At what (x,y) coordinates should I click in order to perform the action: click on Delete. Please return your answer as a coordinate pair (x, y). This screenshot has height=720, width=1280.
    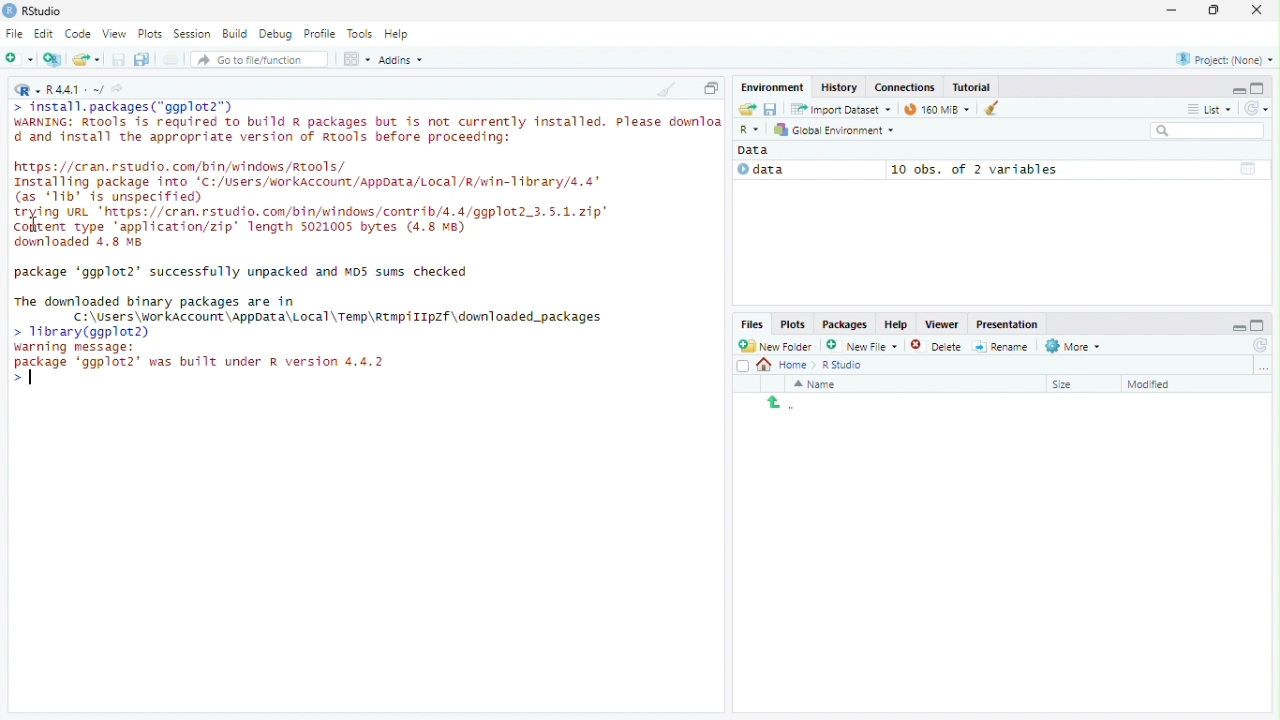
    Looking at the image, I should click on (937, 345).